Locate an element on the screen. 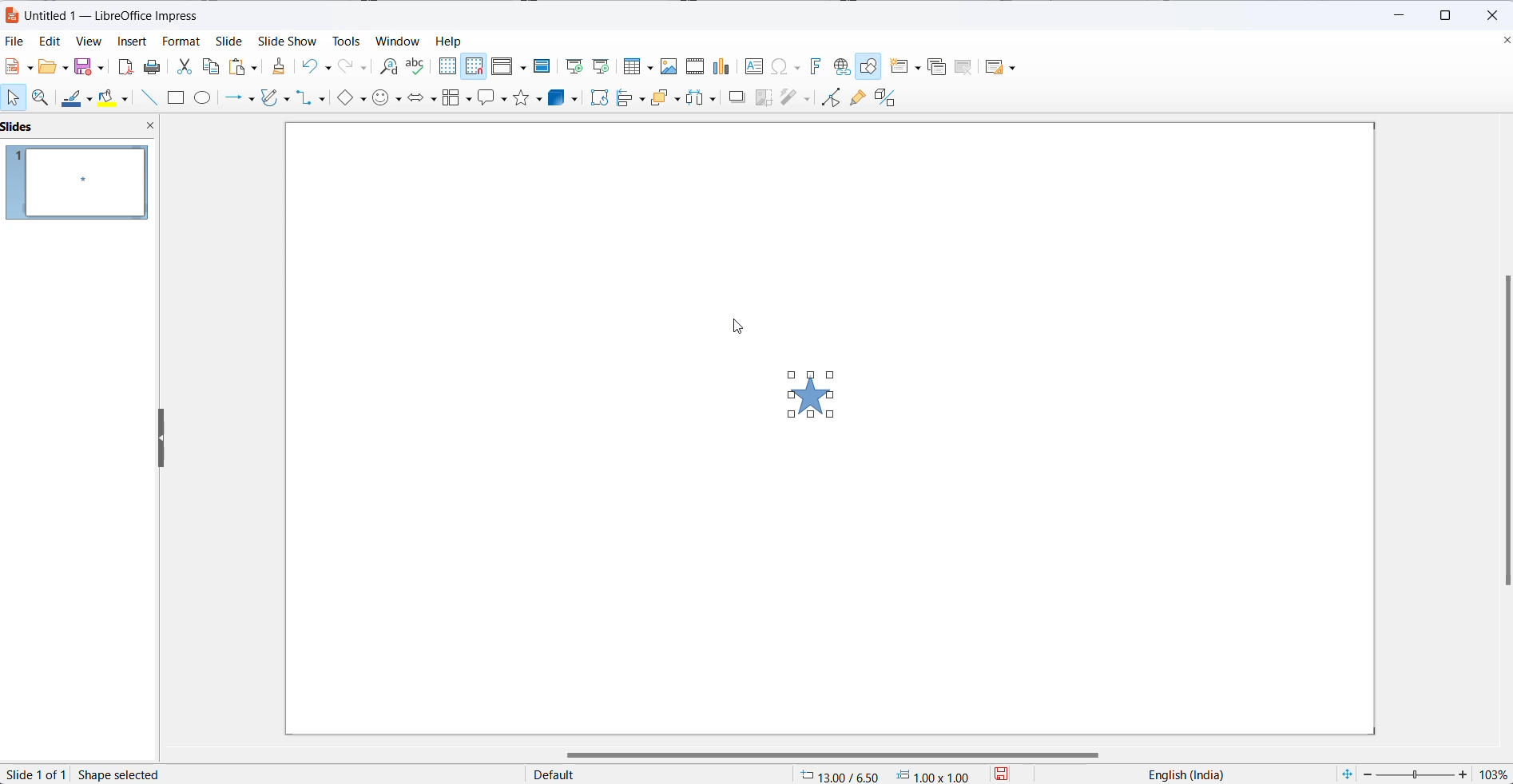 The height and width of the screenshot is (784, 1513).  is located at coordinates (704, 98).